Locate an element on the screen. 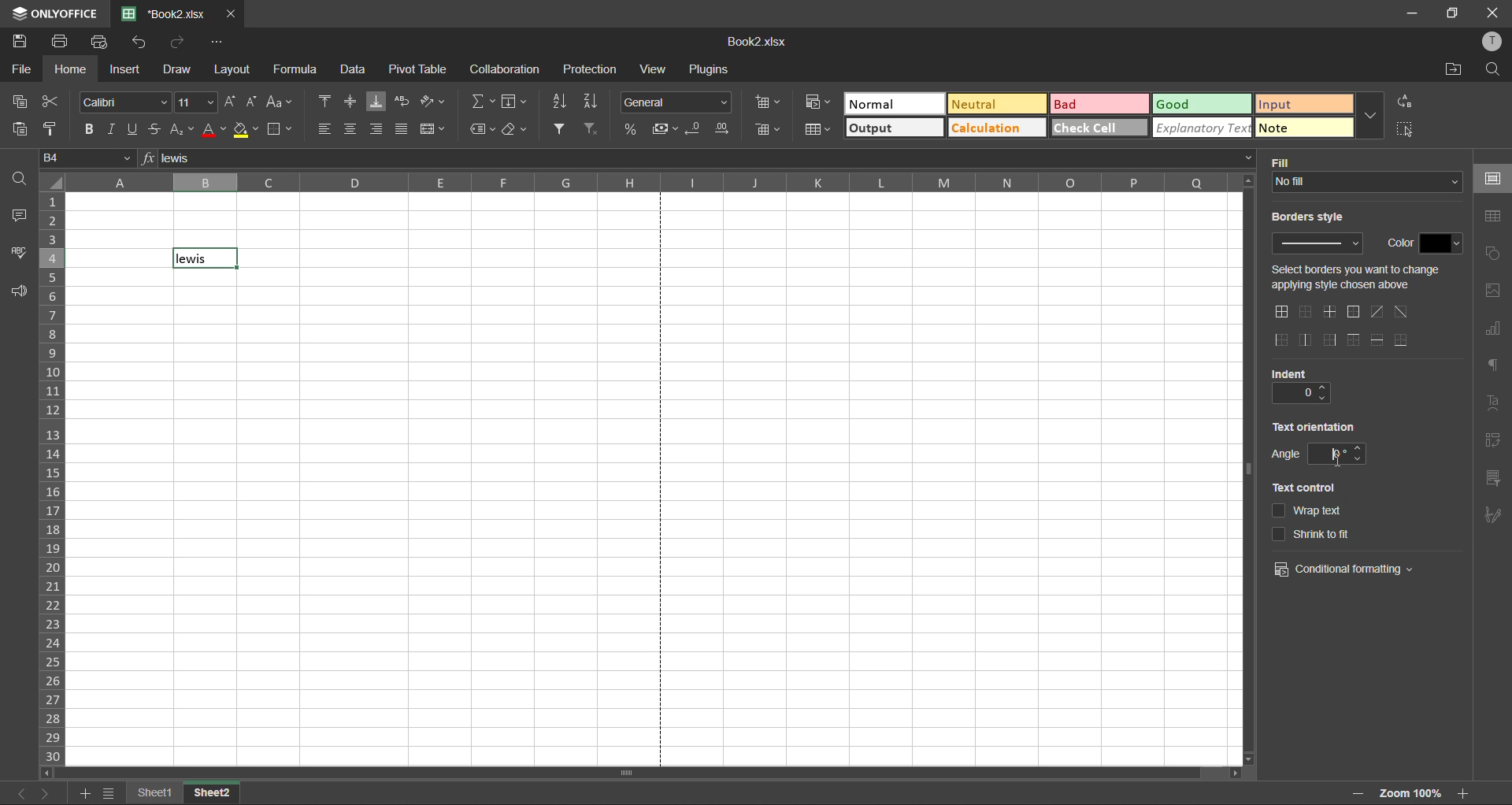  input is located at coordinates (1303, 103).